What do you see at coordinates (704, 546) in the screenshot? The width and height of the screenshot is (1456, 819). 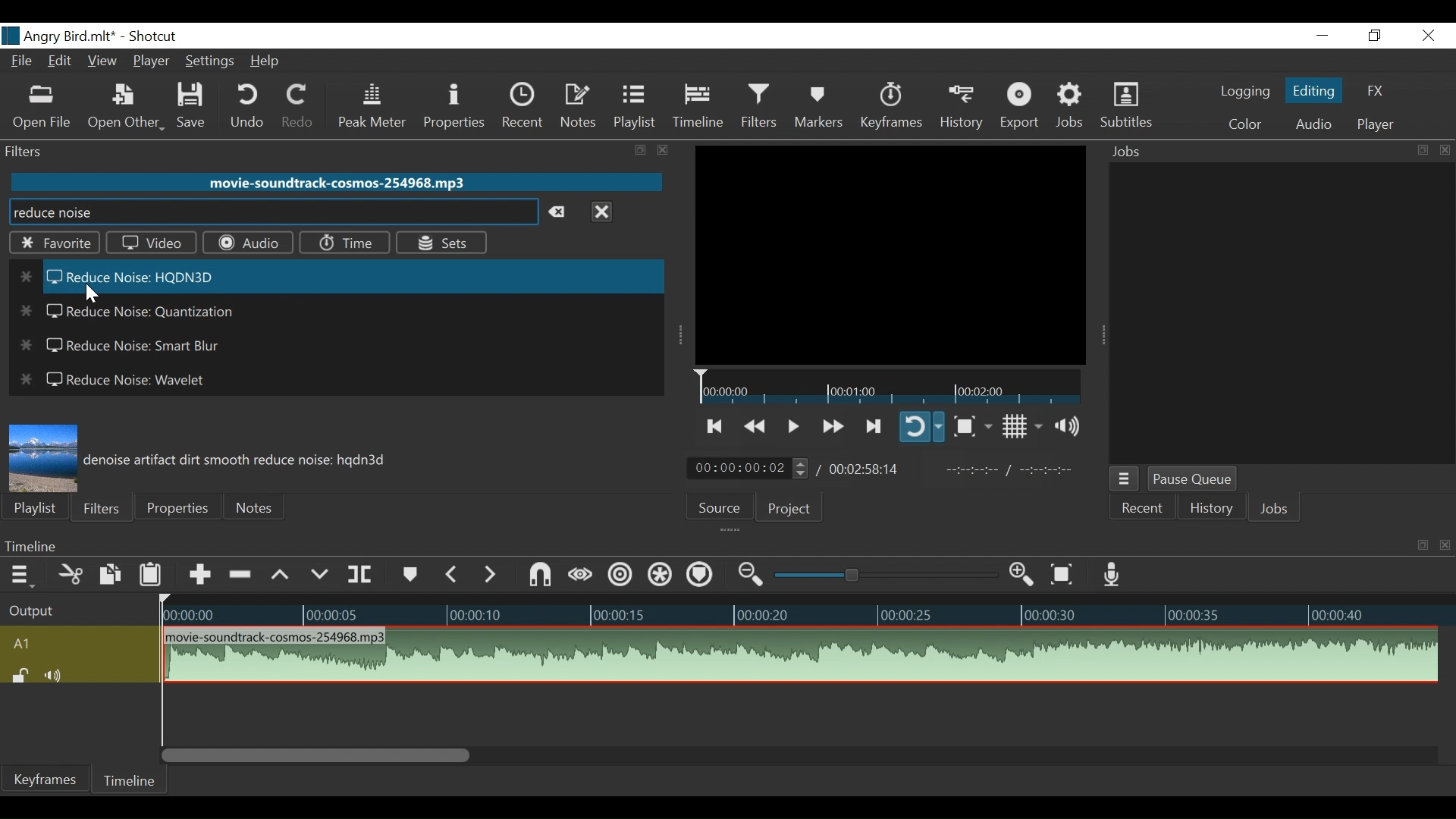 I see `Timeline menu` at bounding box center [704, 546].